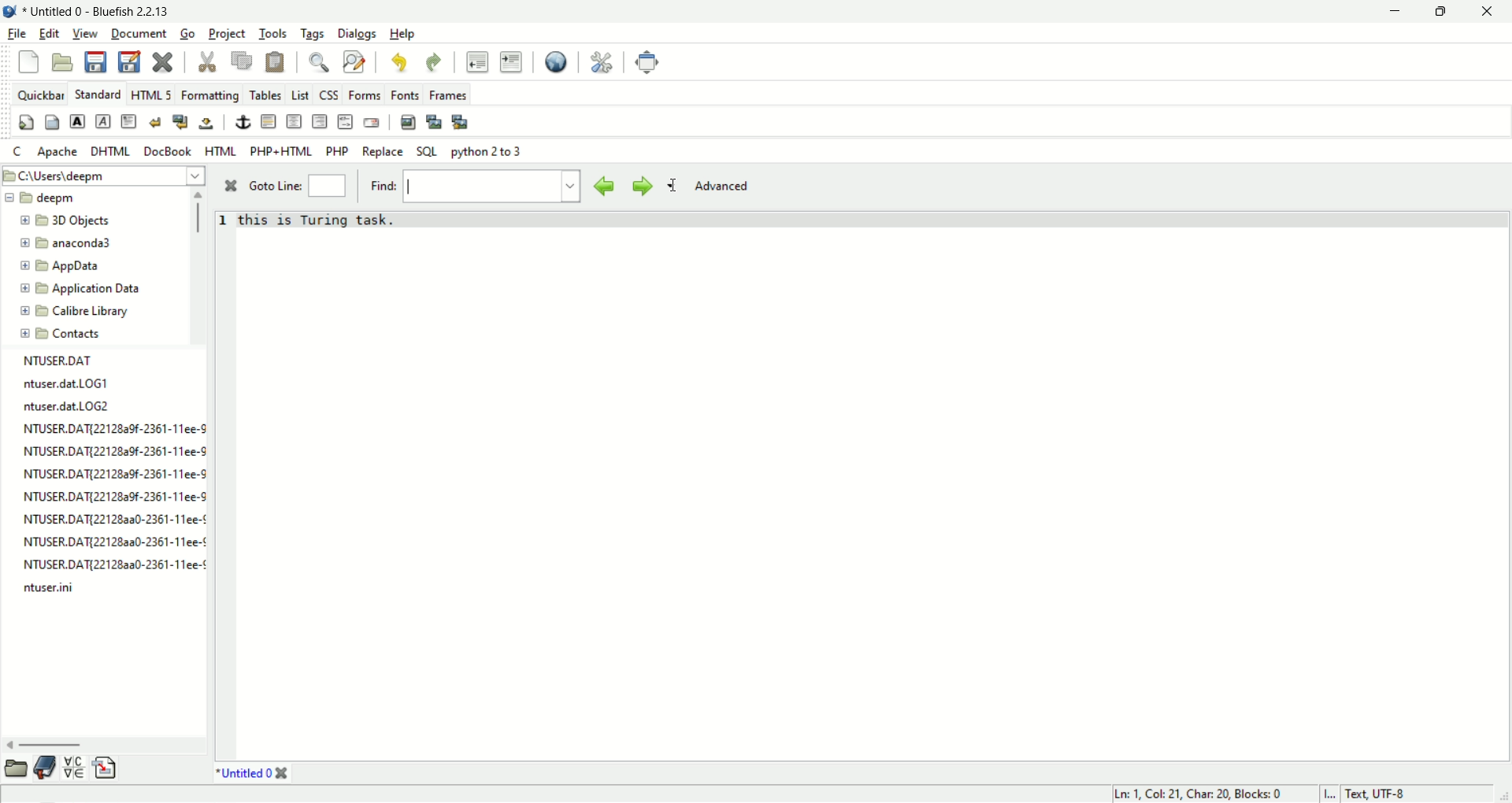 Image resolution: width=1512 pixels, height=803 pixels. What do you see at coordinates (155, 122) in the screenshot?
I see `break` at bounding box center [155, 122].